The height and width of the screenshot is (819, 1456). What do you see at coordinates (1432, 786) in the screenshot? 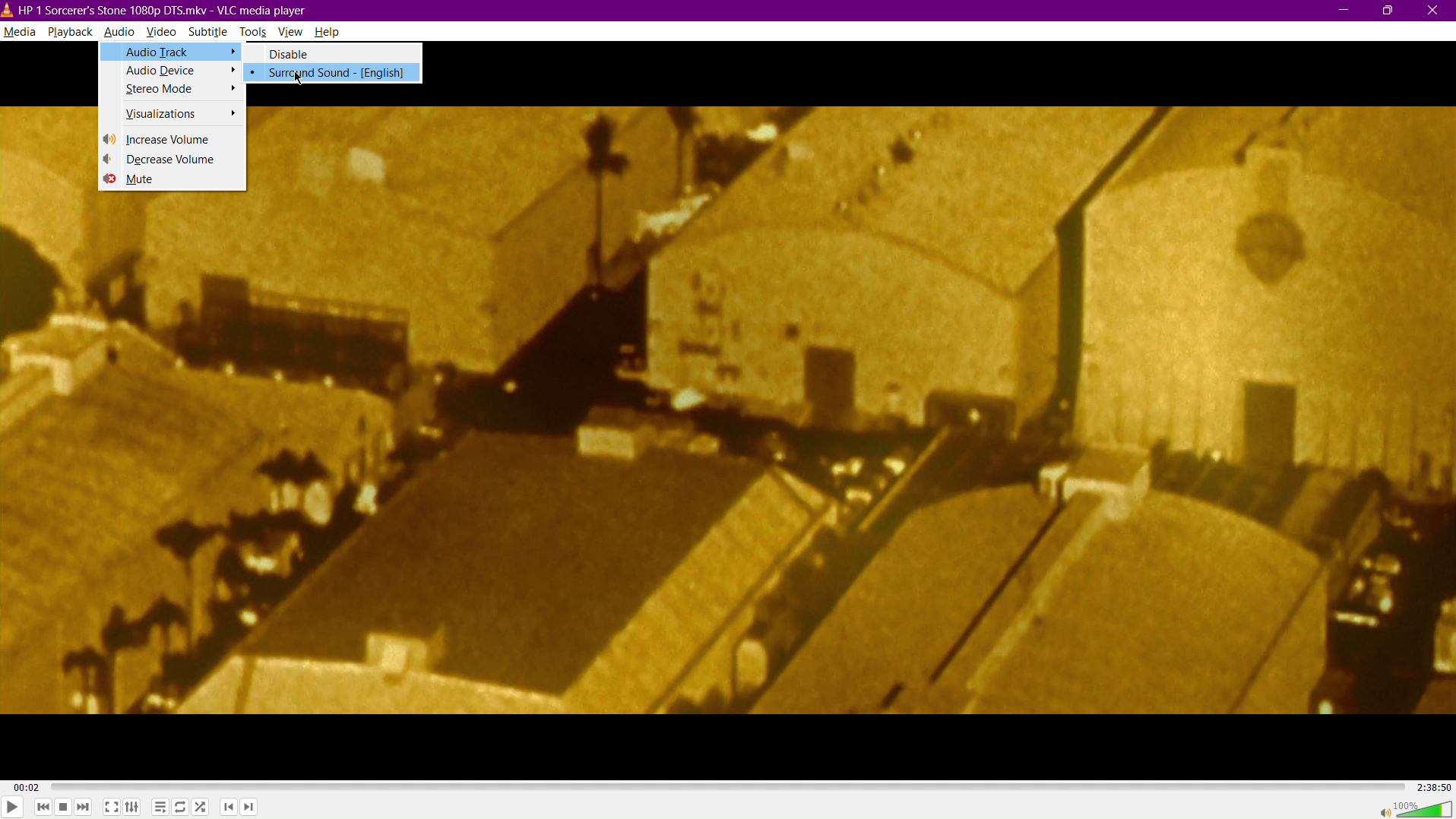
I see `2:38:50` at bounding box center [1432, 786].